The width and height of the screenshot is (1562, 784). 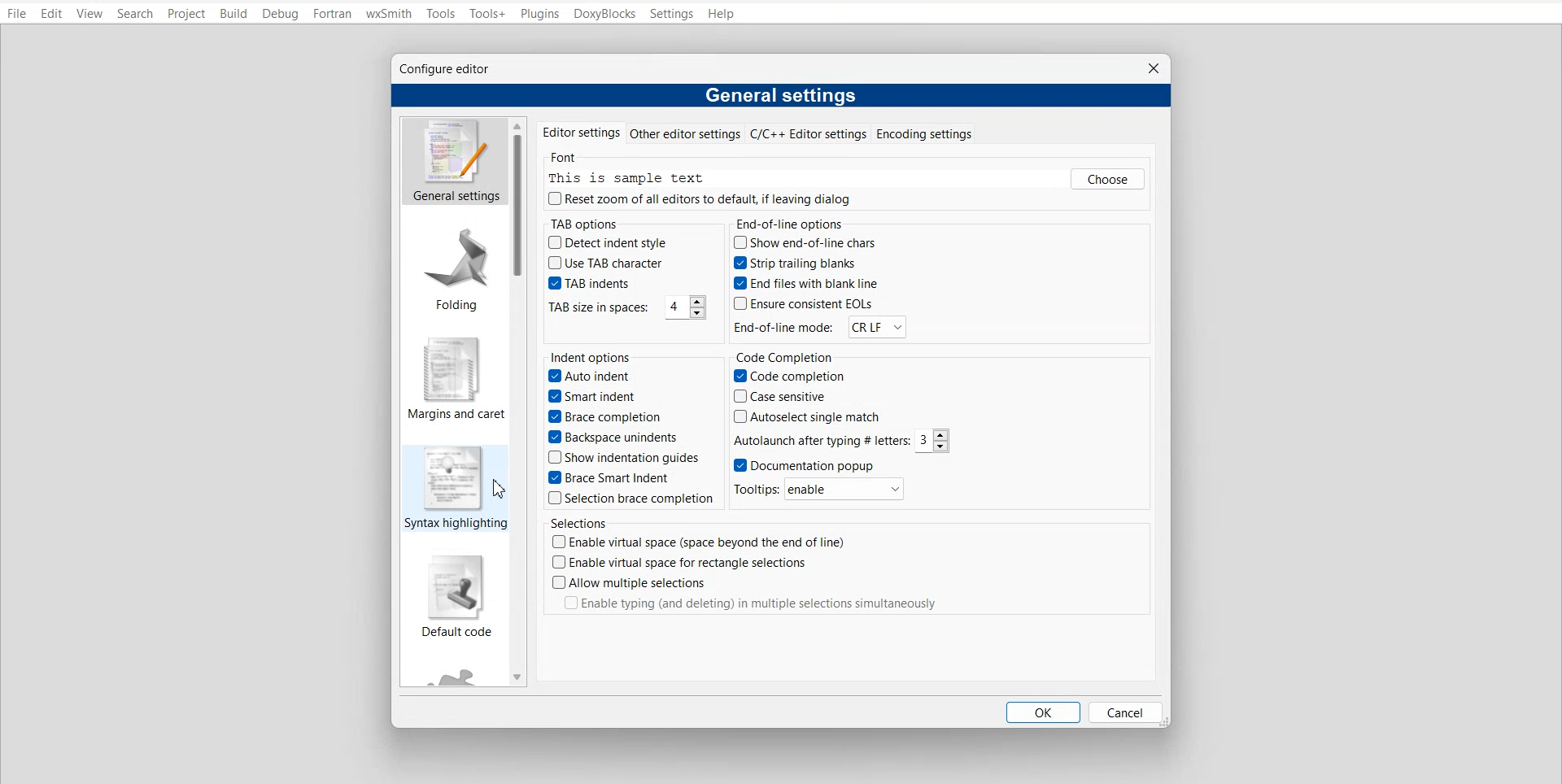 I want to click on Autoselect single match, so click(x=809, y=416).